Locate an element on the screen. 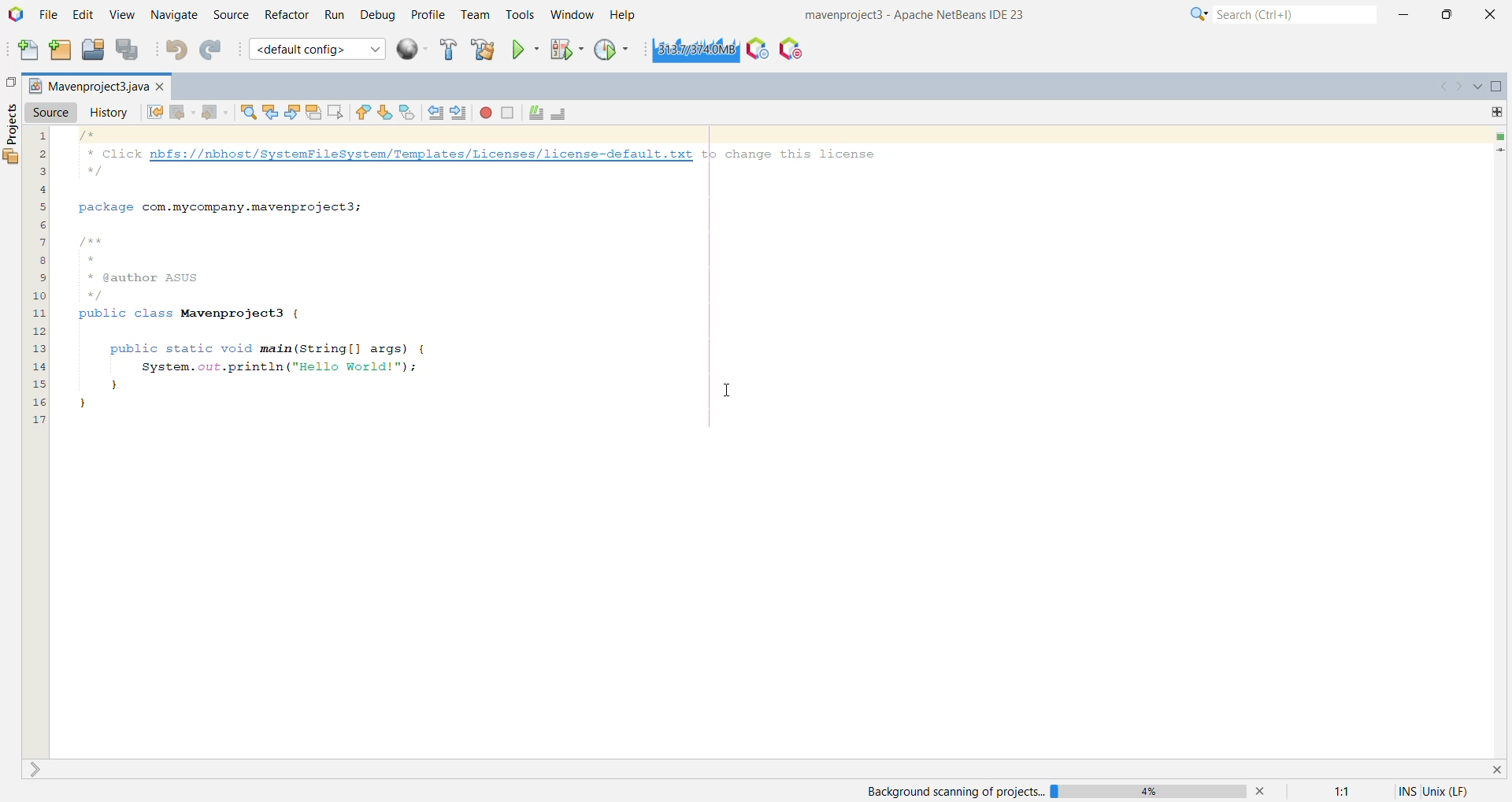  Toggle Bookmark is located at coordinates (409, 113).